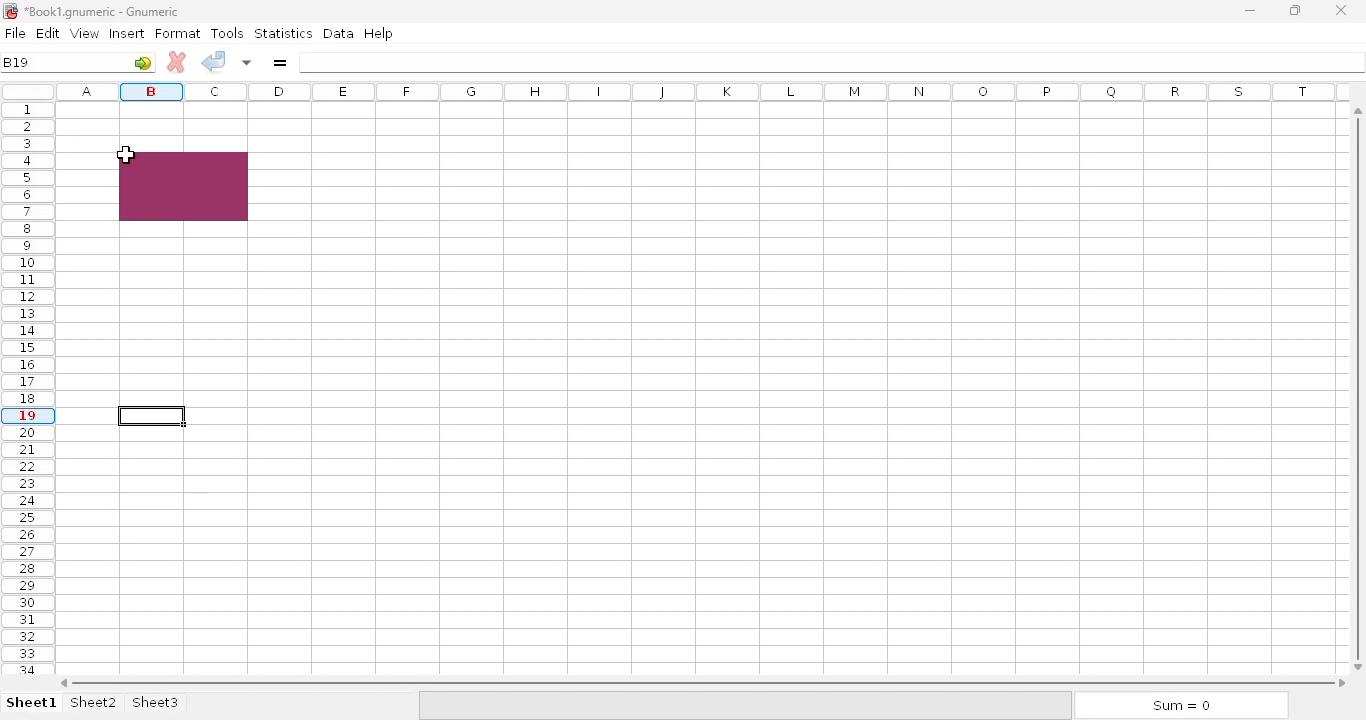  I want to click on sheet1, so click(31, 703).